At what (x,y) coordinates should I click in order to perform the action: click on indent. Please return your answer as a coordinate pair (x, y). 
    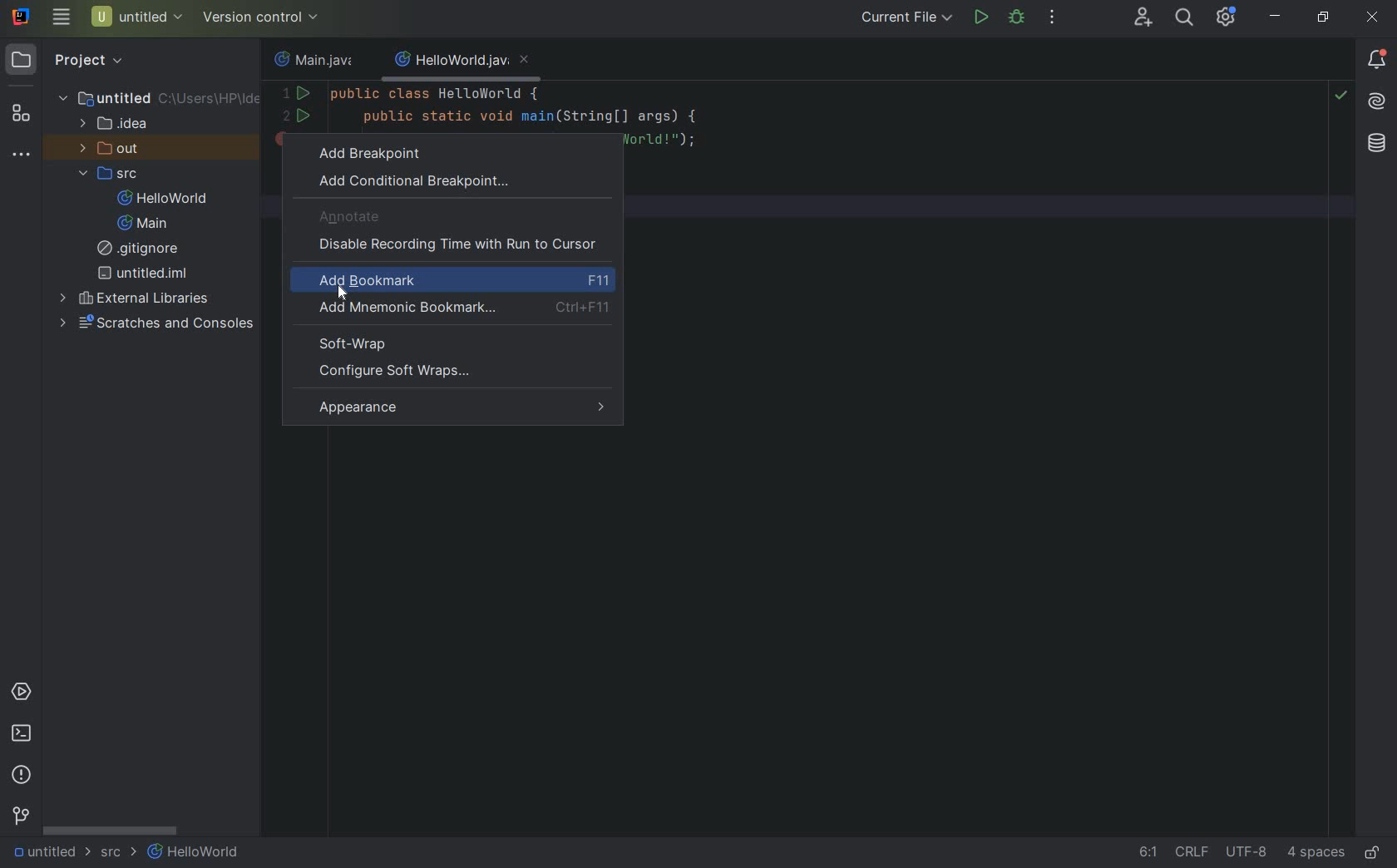
    Looking at the image, I should click on (1316, 855).